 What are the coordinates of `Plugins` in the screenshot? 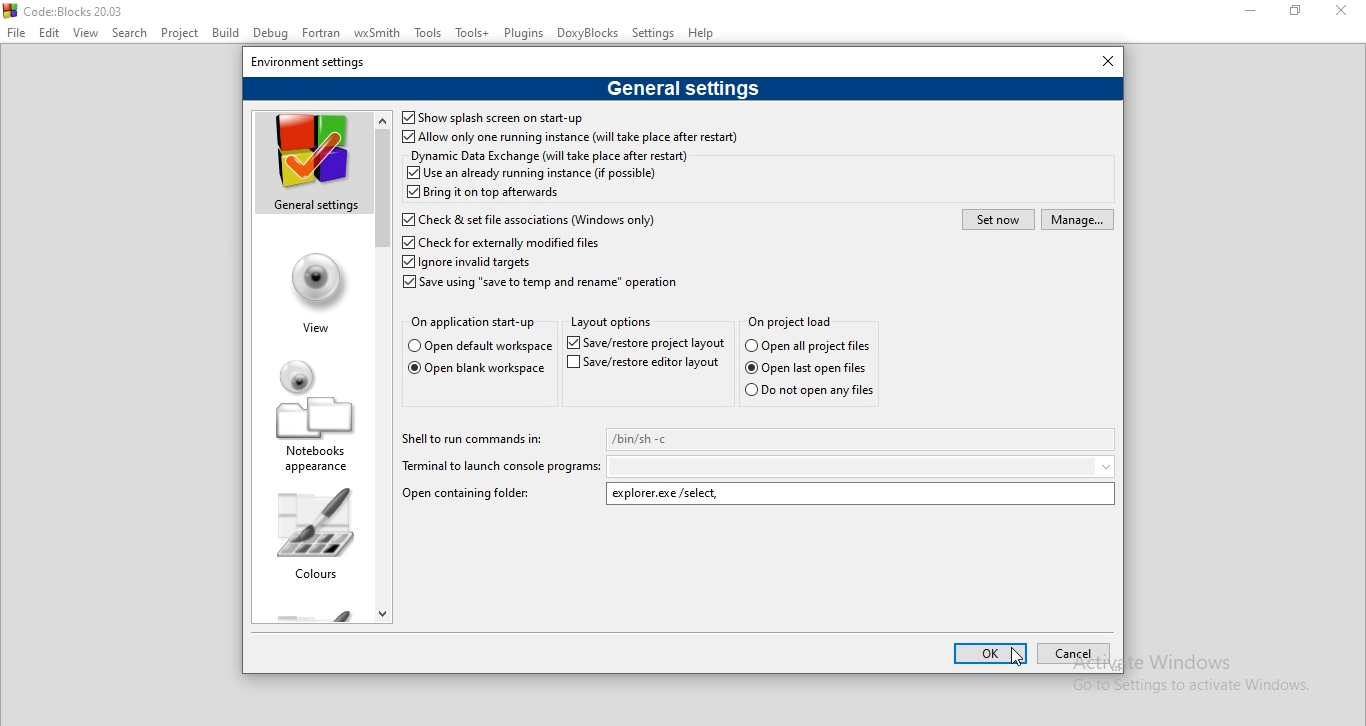 It's located at (524, 32).